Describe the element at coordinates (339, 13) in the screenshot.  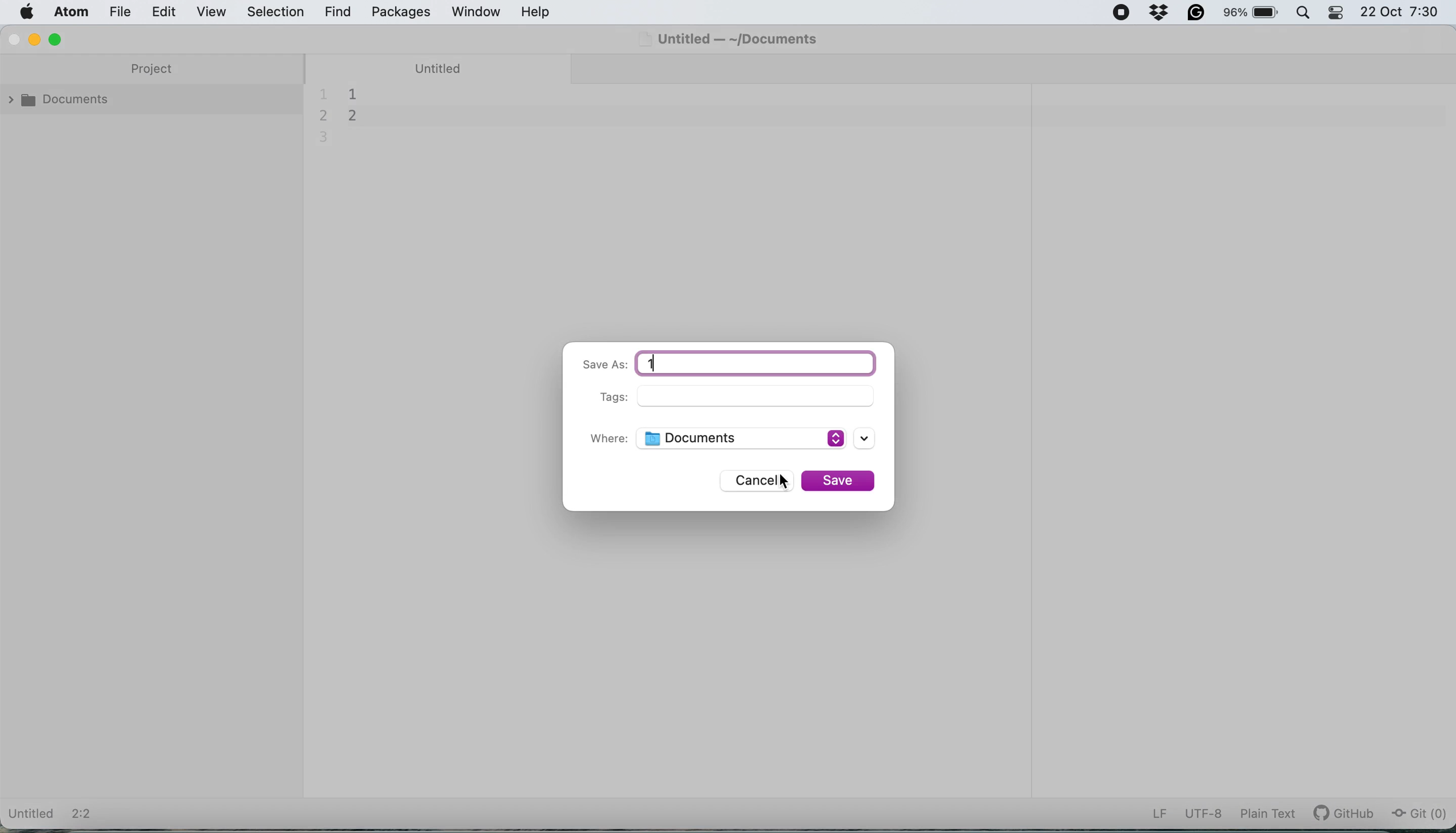
I see `find` at that location.